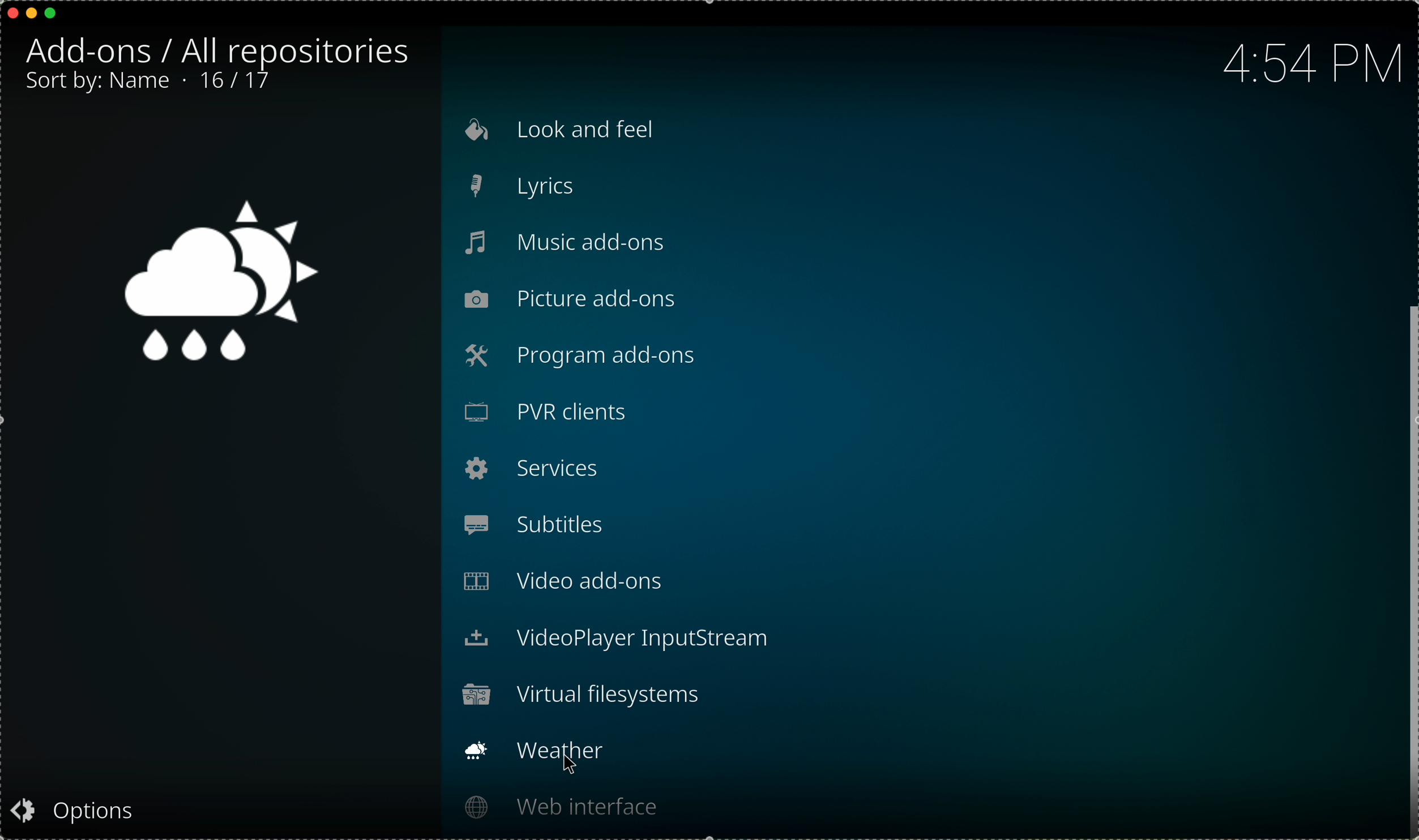  Describe the element at coordinates (97, 53) in the screenshot. I see `add-ons` at that location.